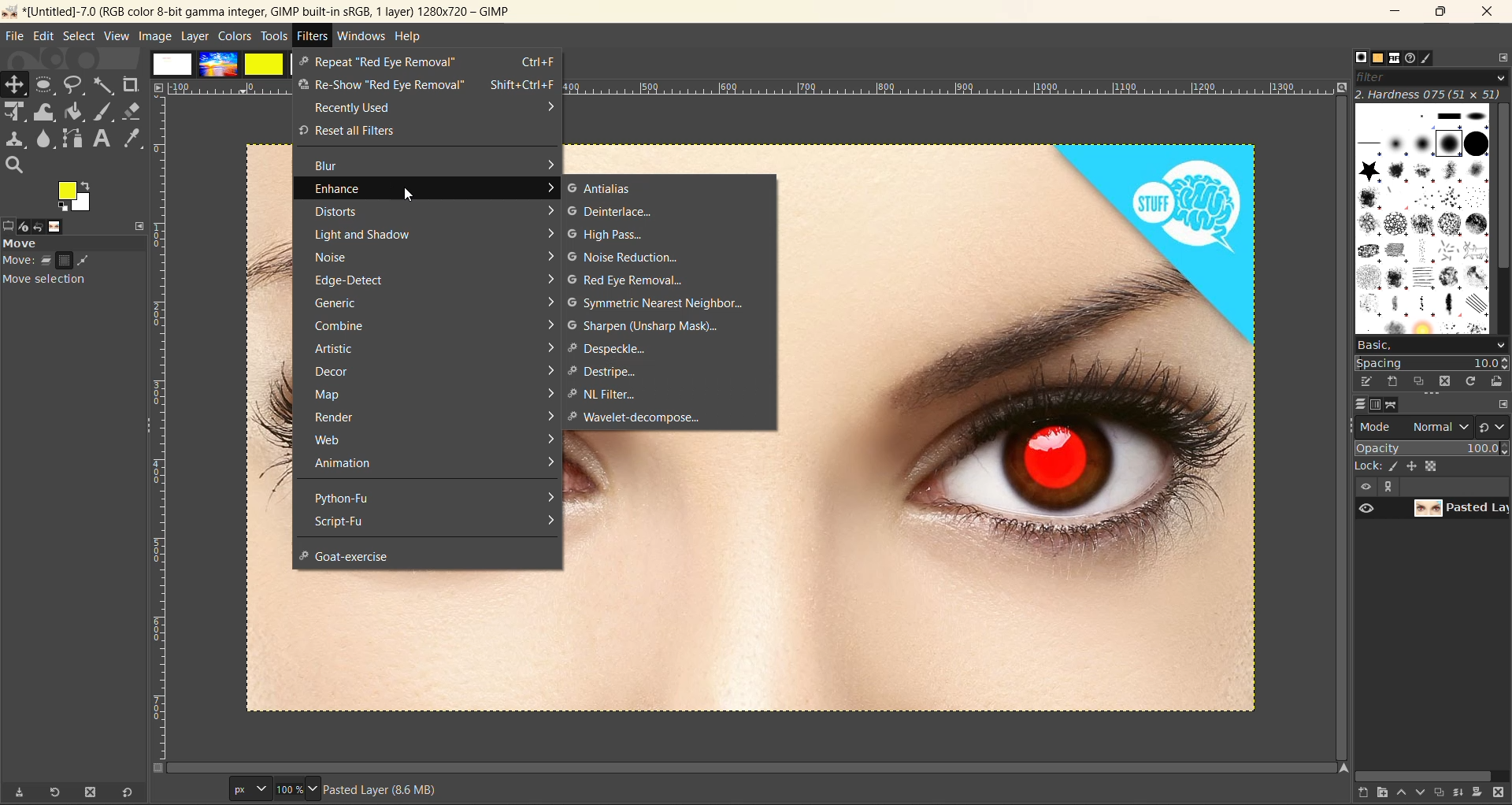 The height and width of the screenshot is (805, 1512). Describe the element at coordinates (17, 84) in the screenshot. I see `Move tool` at that location.